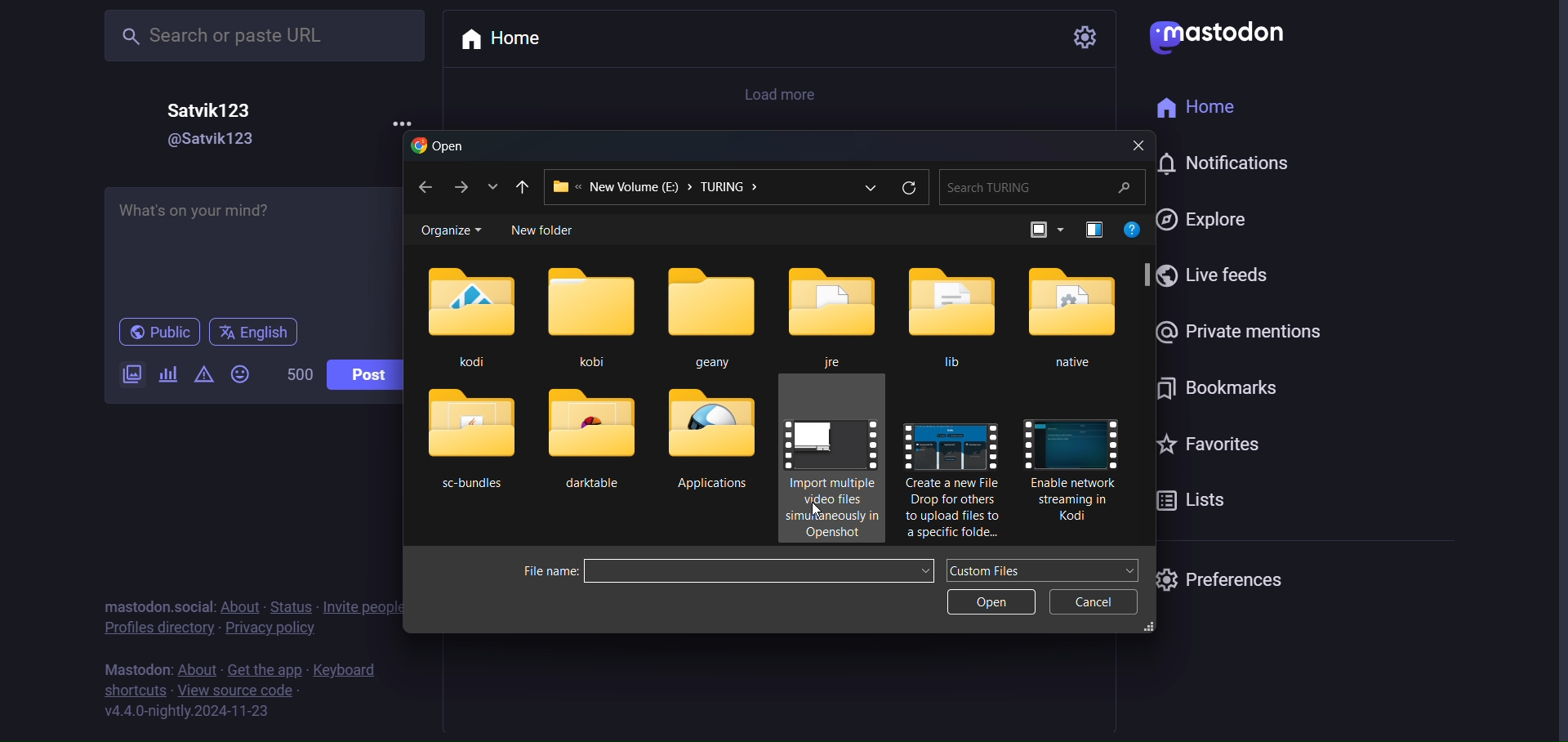 This screenshot has width=1568, height=742. What do you see at coordinates (690, 186) in the screenshot?
I see `New Volume (E) > TURING >` at bounding box center [690, 186].